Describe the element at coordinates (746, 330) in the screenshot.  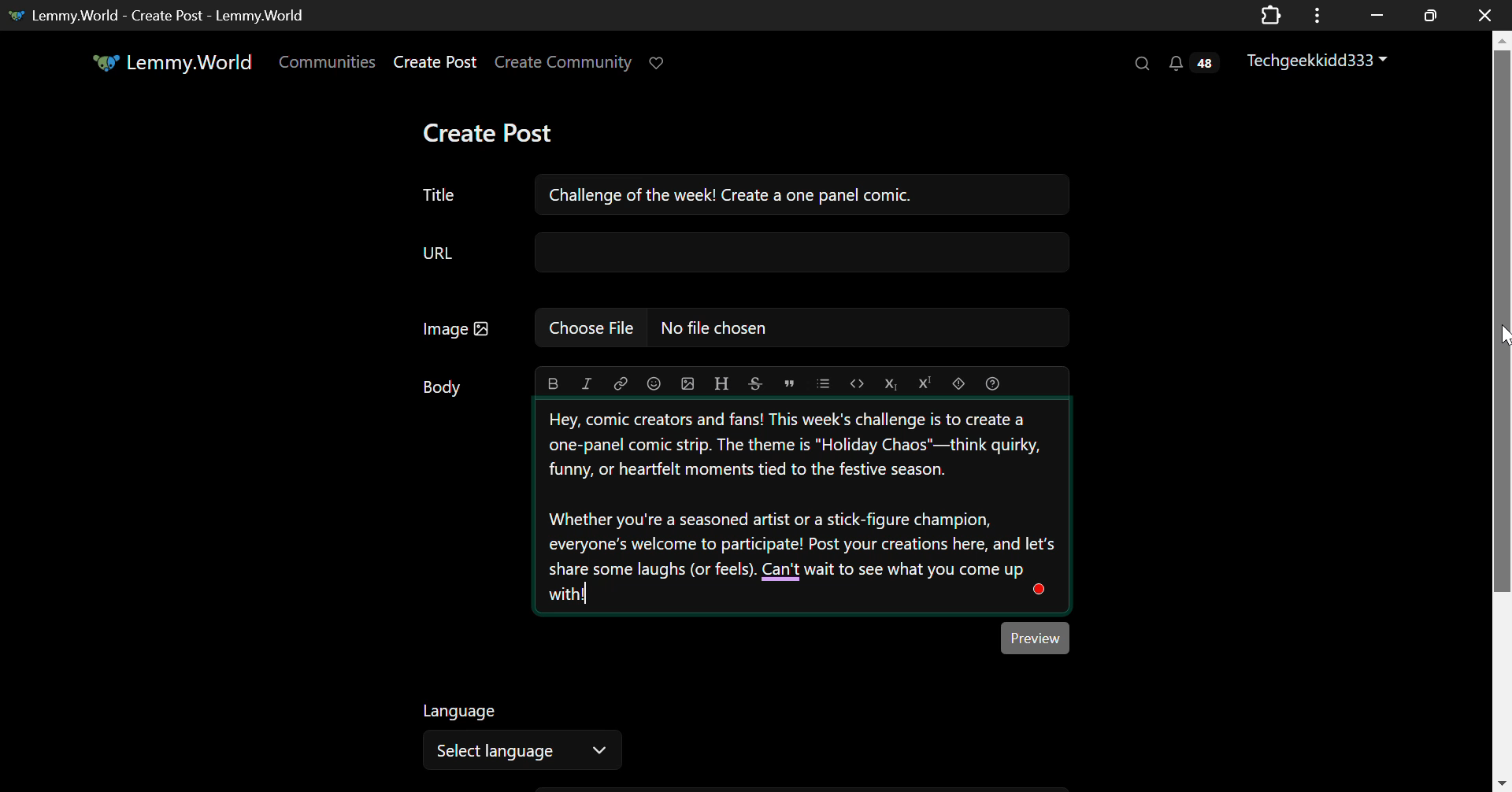
I see `Image: No file chosen` at that location.